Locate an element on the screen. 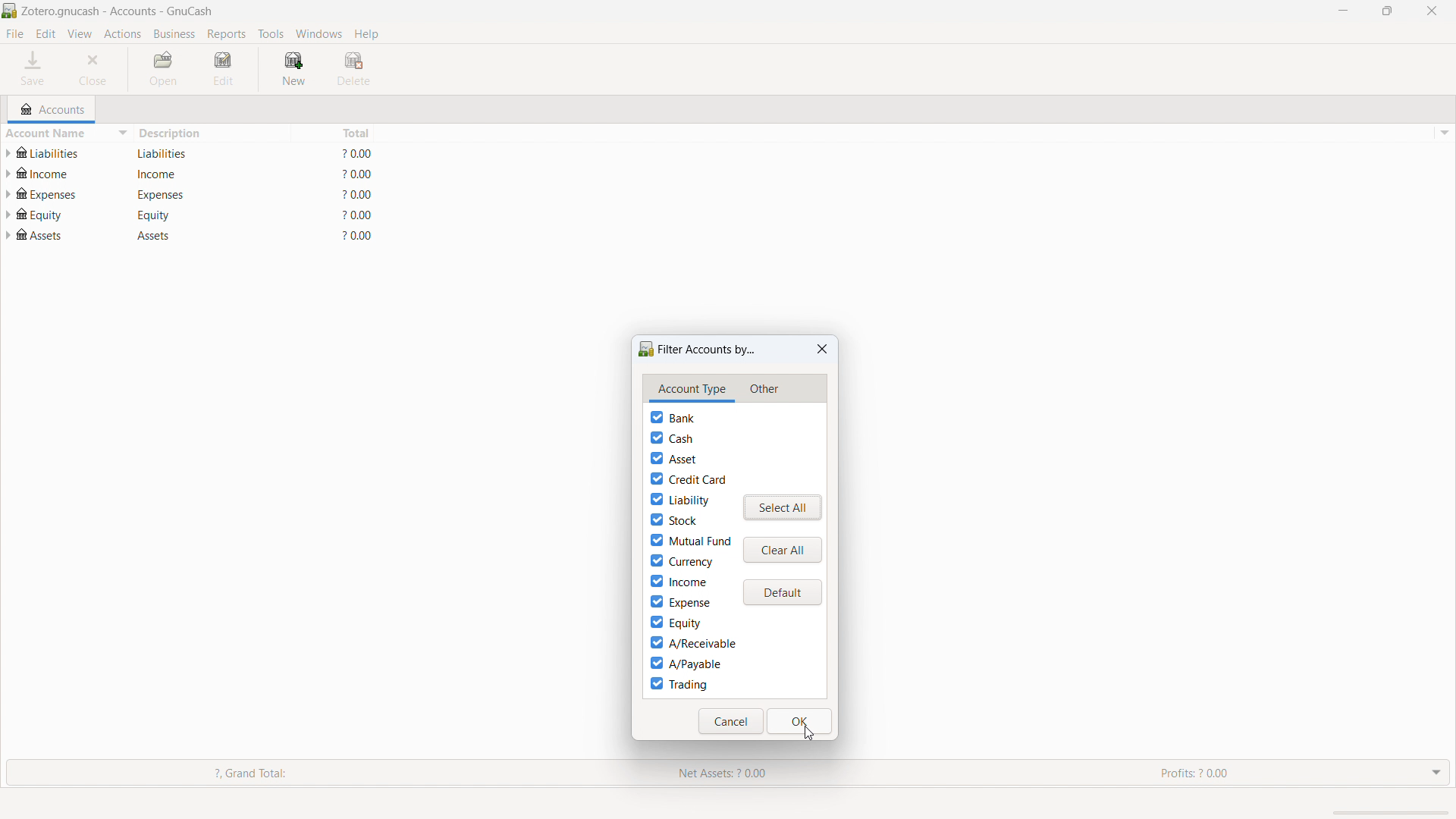  total is located at coordinates (355, 156).